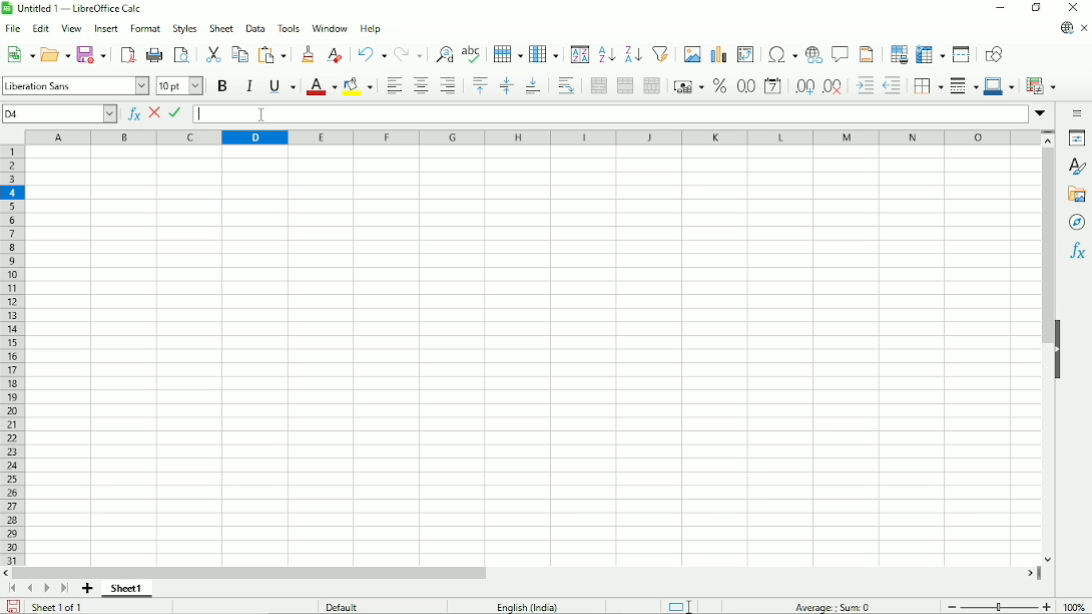 The width and height of the screenshot is (1092, 614). What do you see at coordinates (410, 55) in the screenshot?
I see `Redo` at bounding box center [410, 55].